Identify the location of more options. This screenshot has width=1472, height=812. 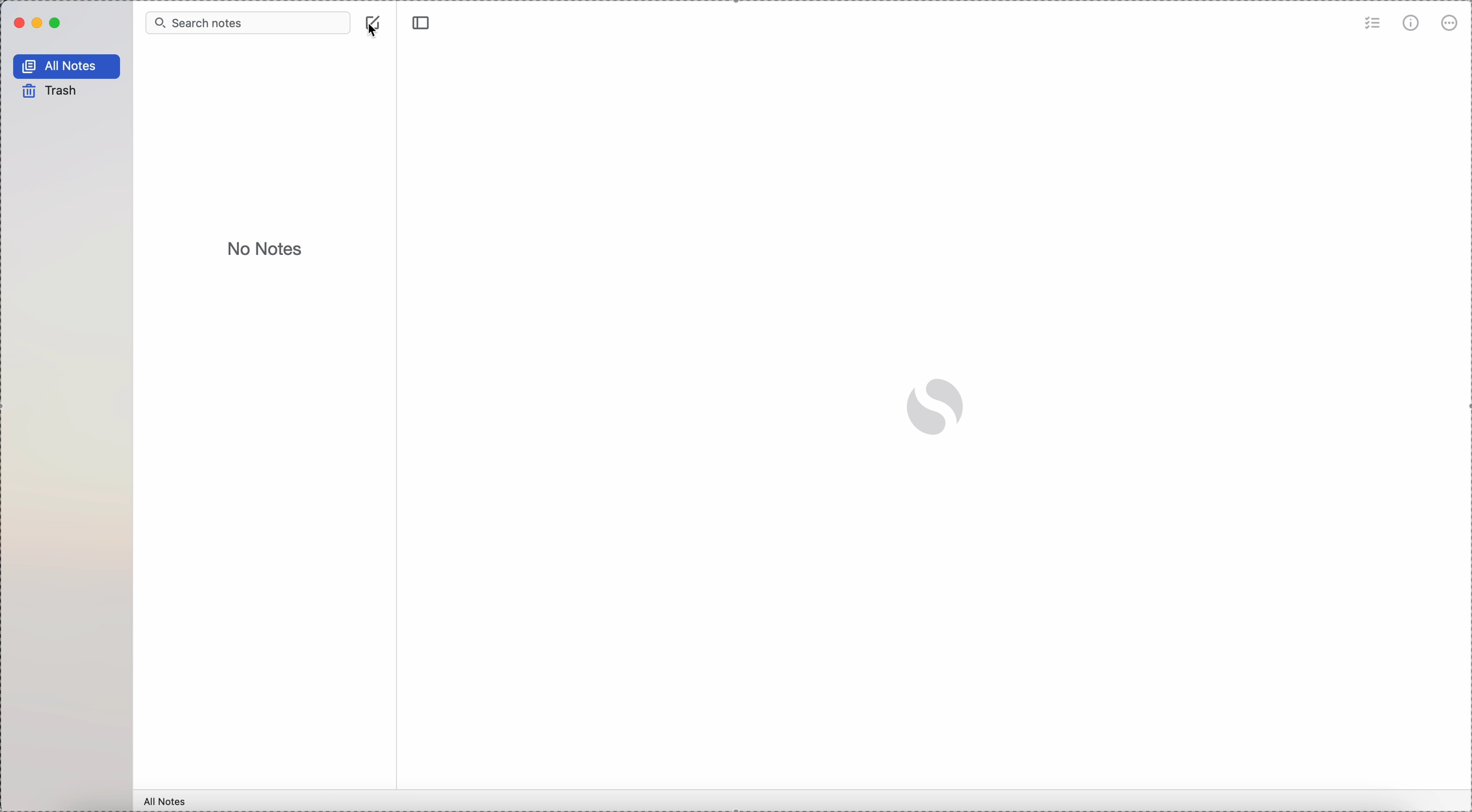
(1448, 24).